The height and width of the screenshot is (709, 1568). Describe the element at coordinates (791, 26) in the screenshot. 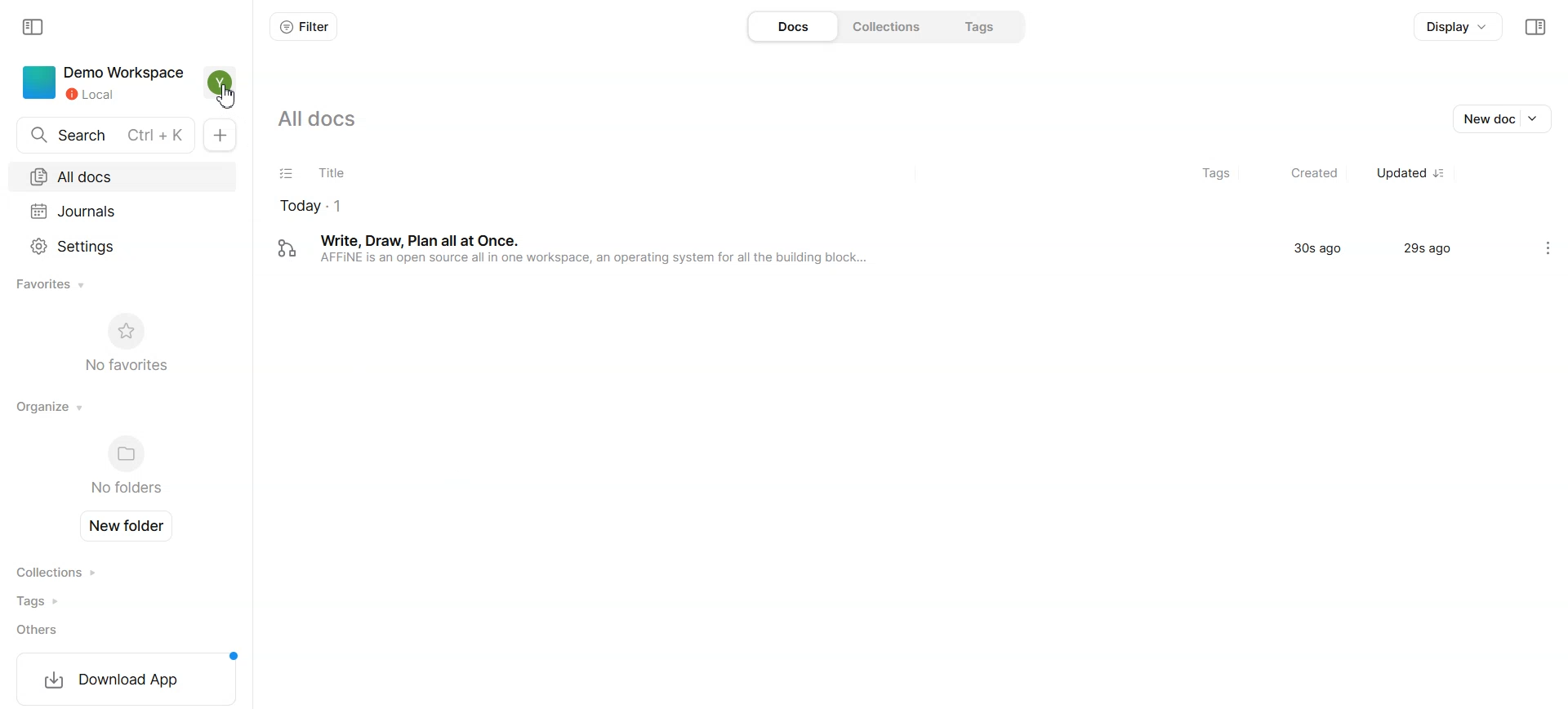

I see `Docs` at that location.